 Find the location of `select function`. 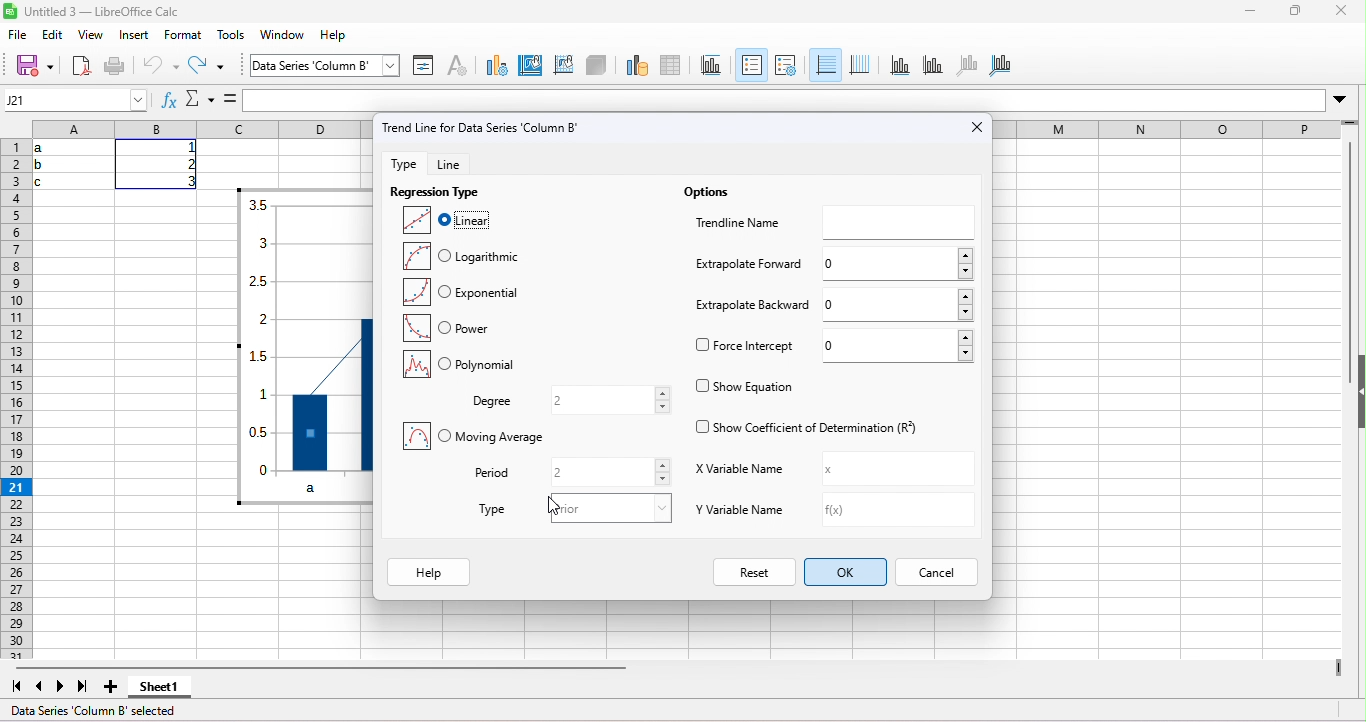

select function is located at coordinates (201, 99).